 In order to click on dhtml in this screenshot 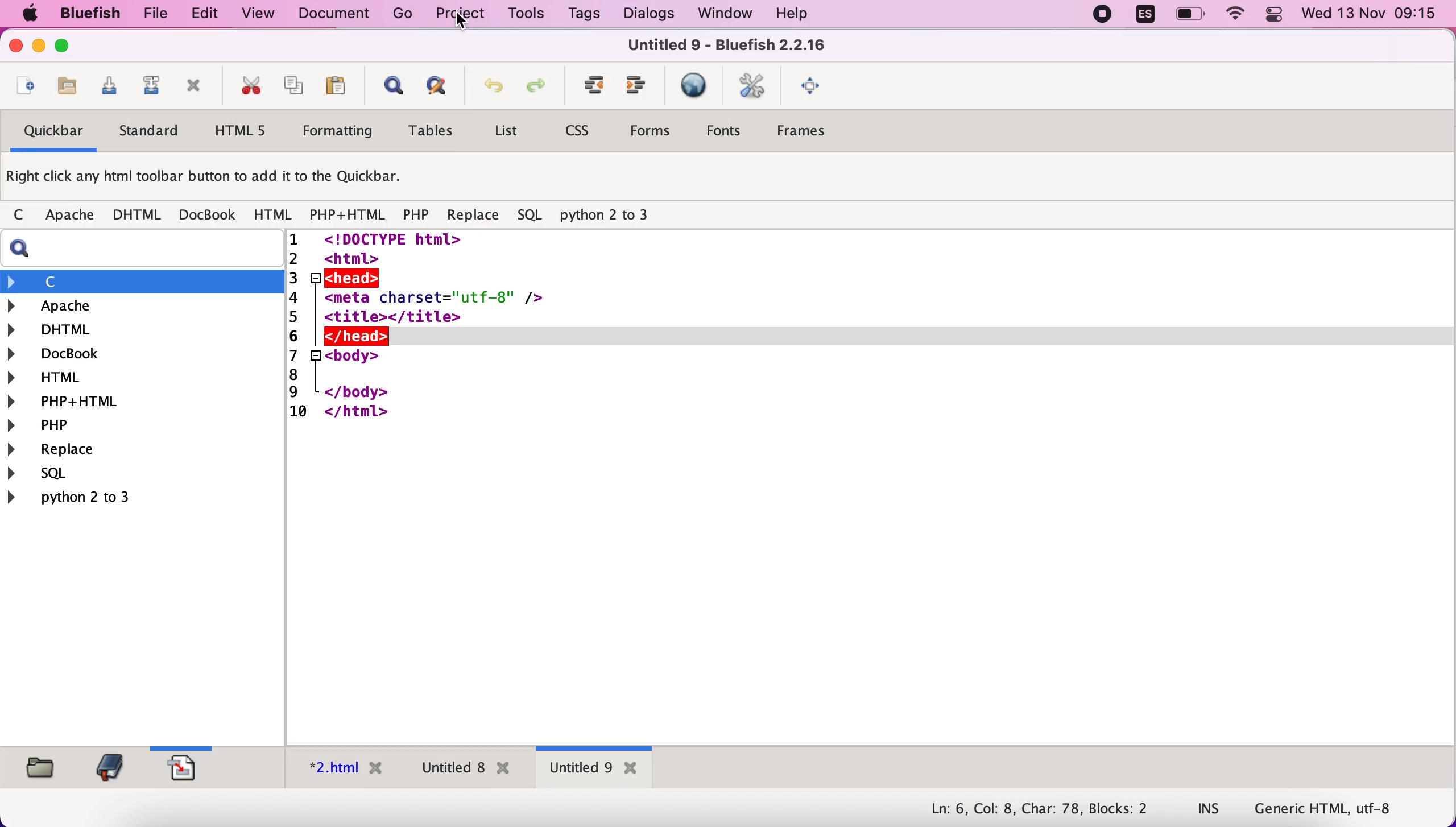, I will do `click(138, 216)`.